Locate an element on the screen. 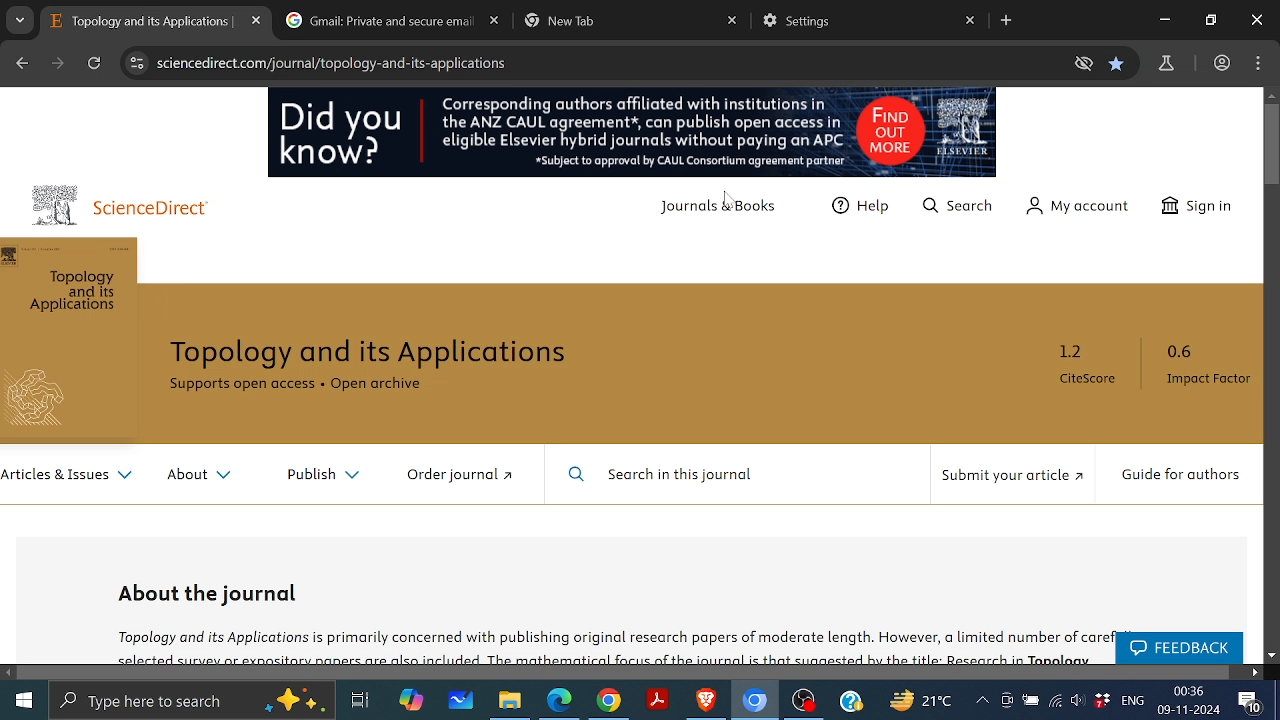 Image resolution: width=1280 pixels, height=720 pixels. vertical scrollbar is located at coordinates (1272, 143).